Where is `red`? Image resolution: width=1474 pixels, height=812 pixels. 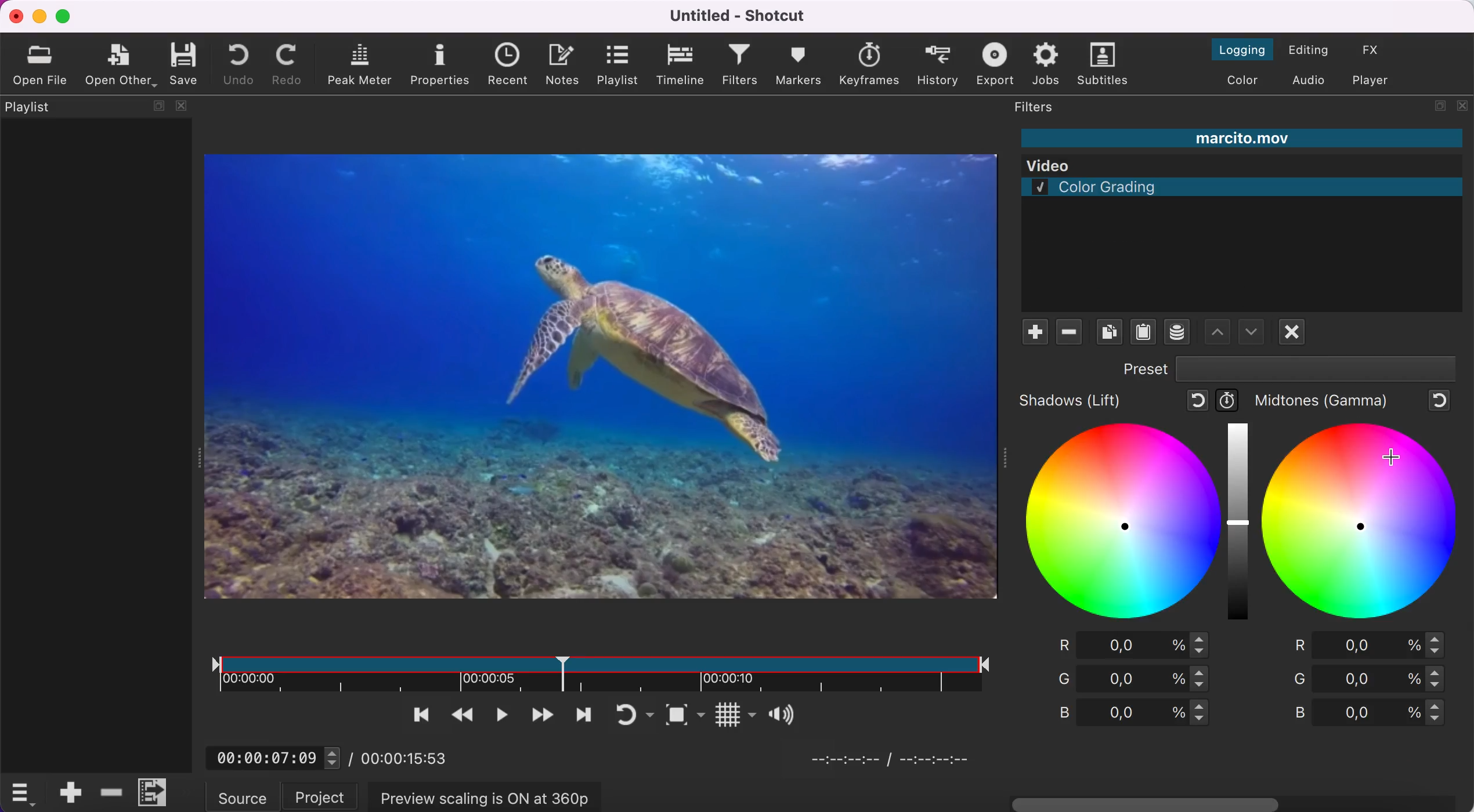 red is located at coordinates (1370, 645).